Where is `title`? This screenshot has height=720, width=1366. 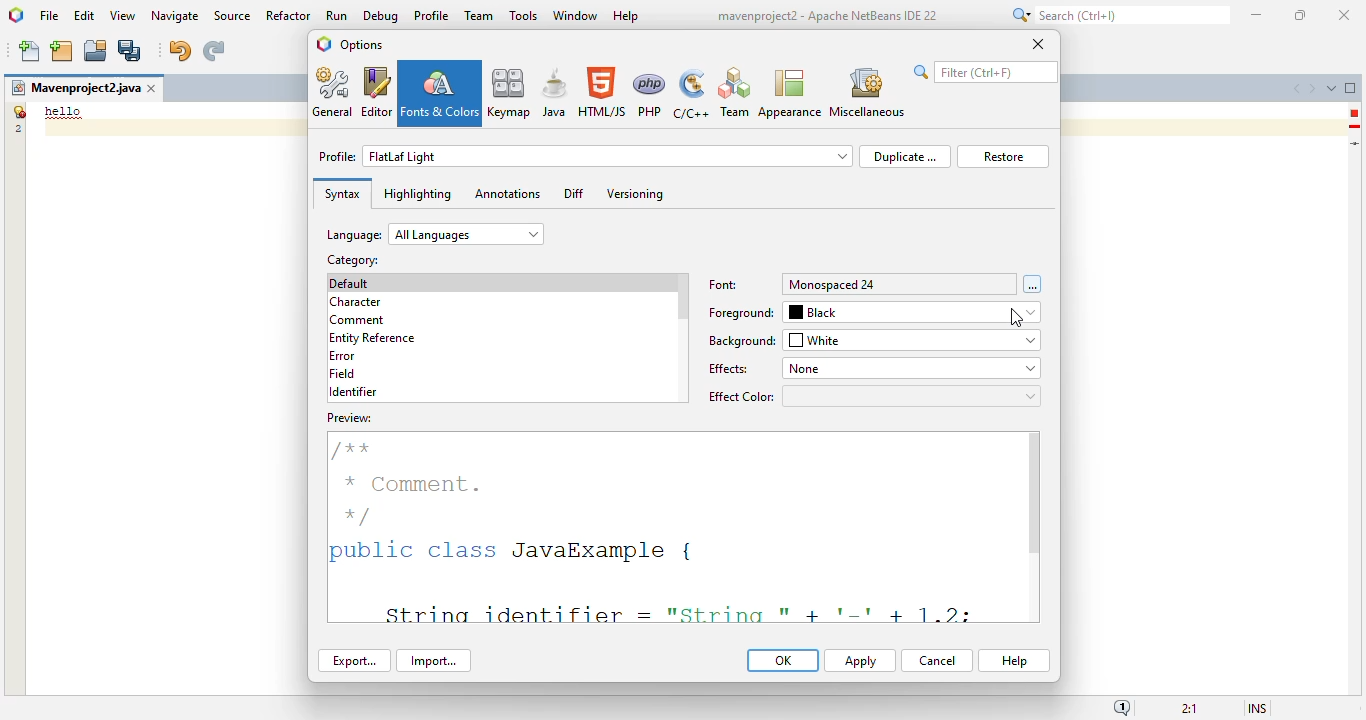 title is located at coordinates (826, 16).